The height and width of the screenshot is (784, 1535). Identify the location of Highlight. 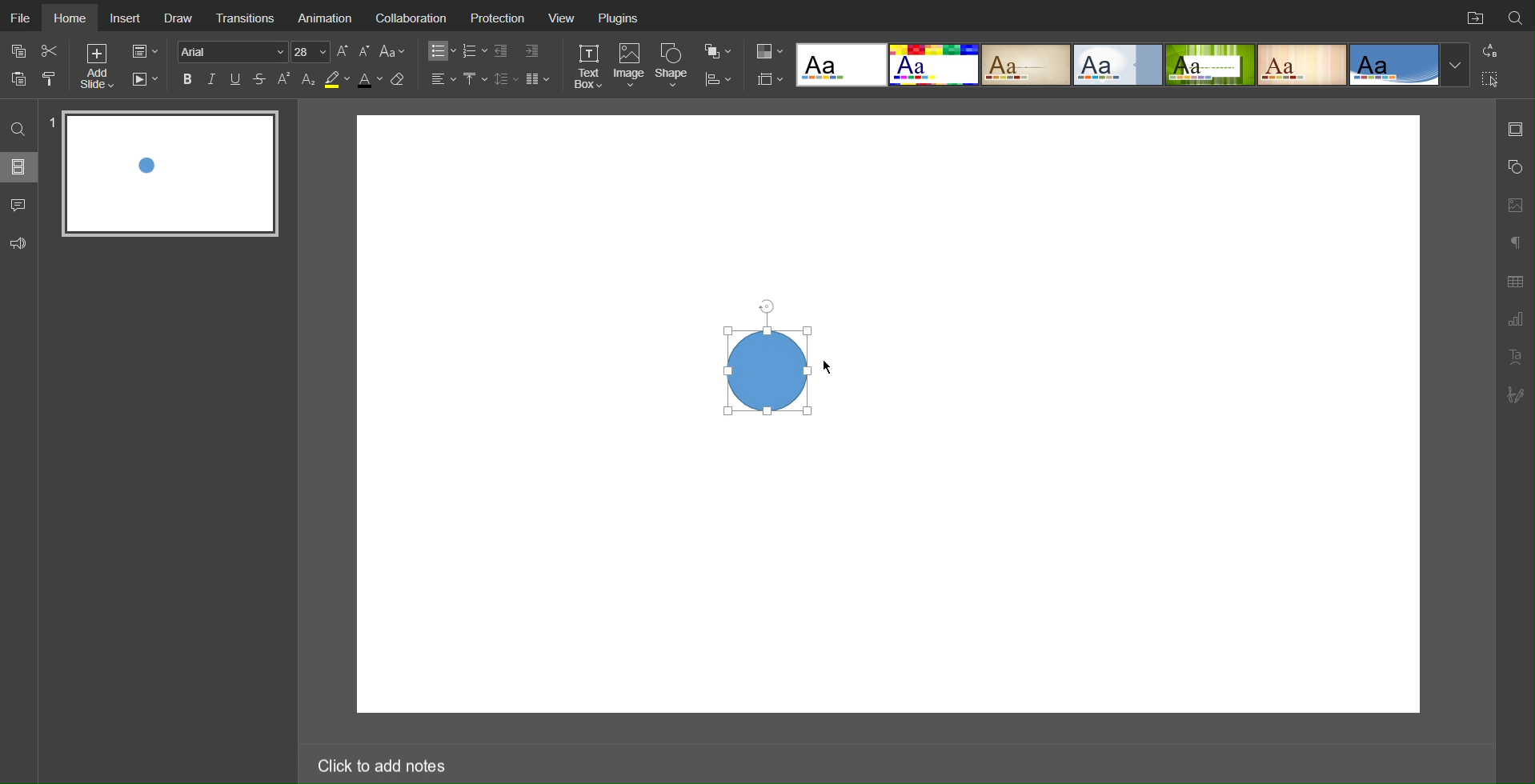
(336, 80).